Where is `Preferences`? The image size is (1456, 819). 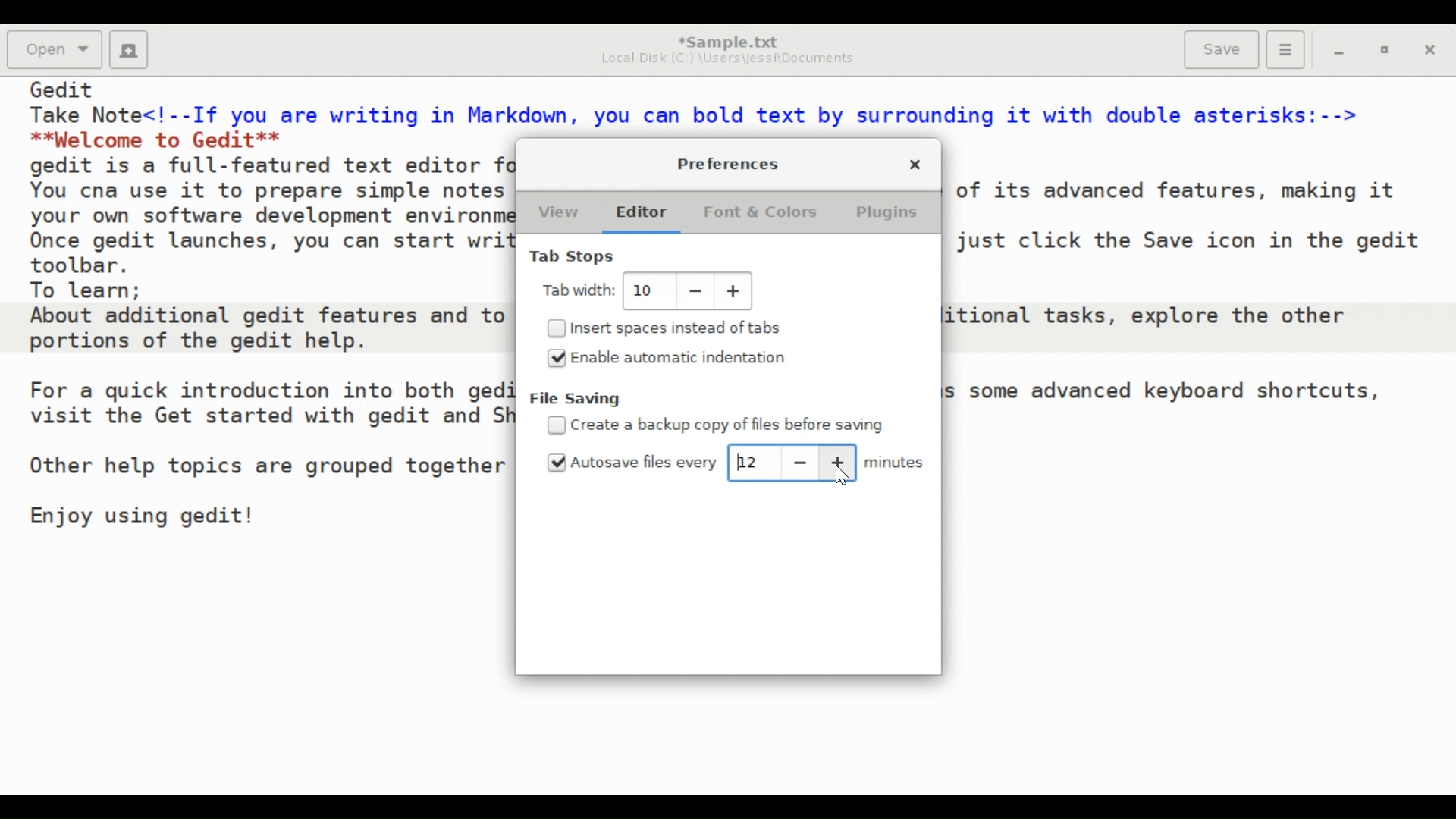
Preferences is located at coordinates (729, 163).